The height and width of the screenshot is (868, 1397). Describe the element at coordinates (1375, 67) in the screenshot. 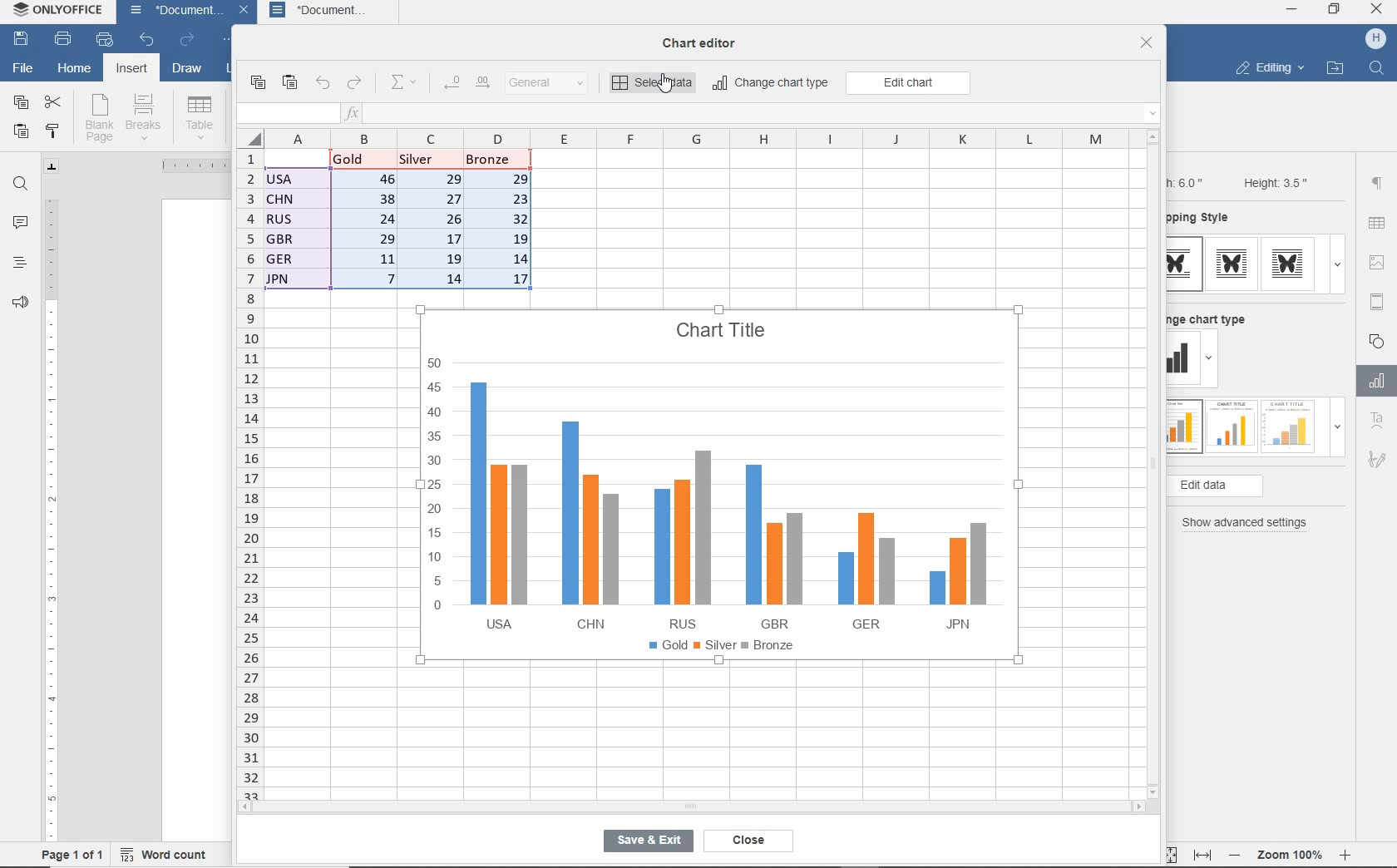

I see `find` at that location.